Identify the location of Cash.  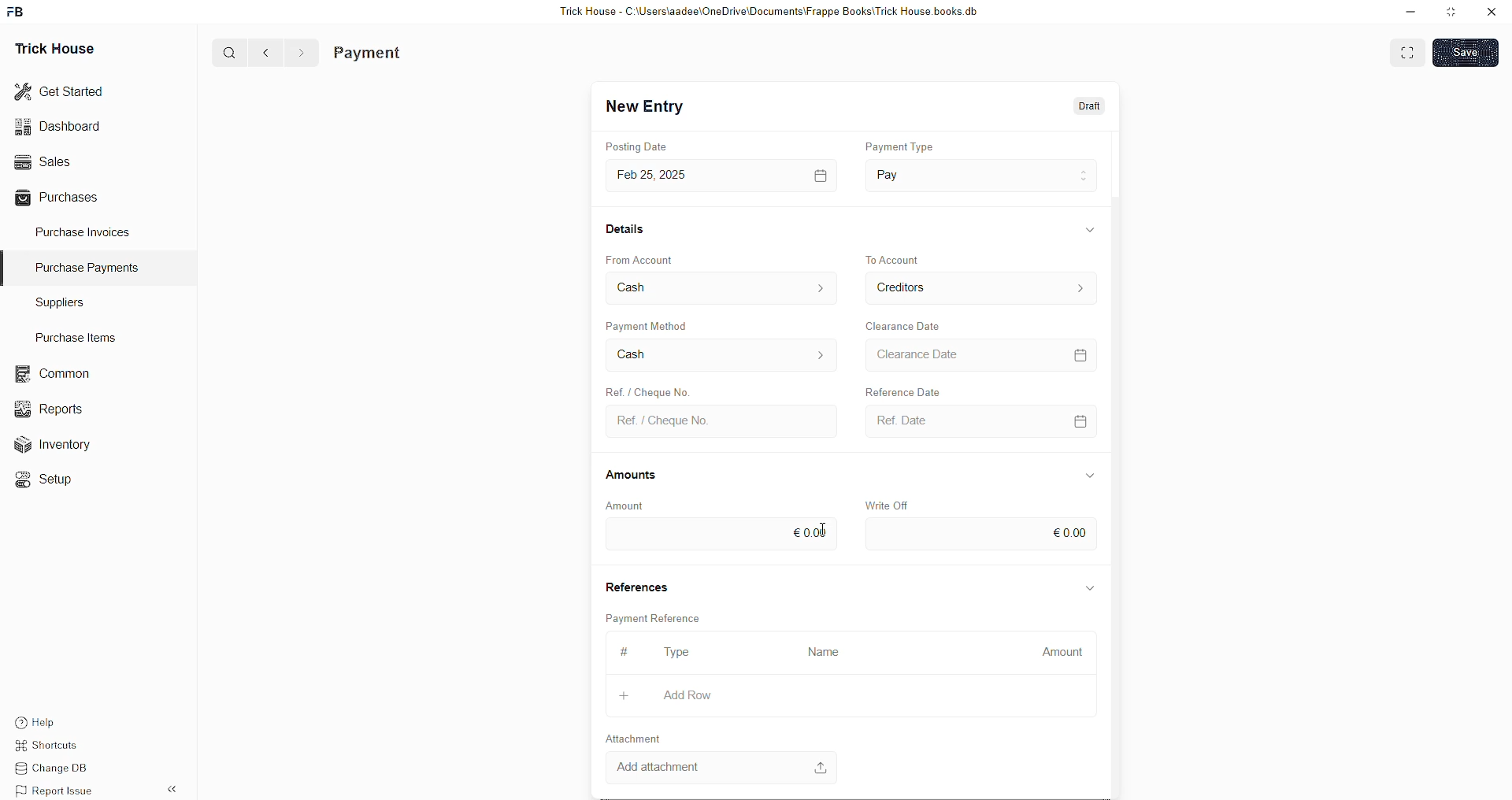
(624, 353).